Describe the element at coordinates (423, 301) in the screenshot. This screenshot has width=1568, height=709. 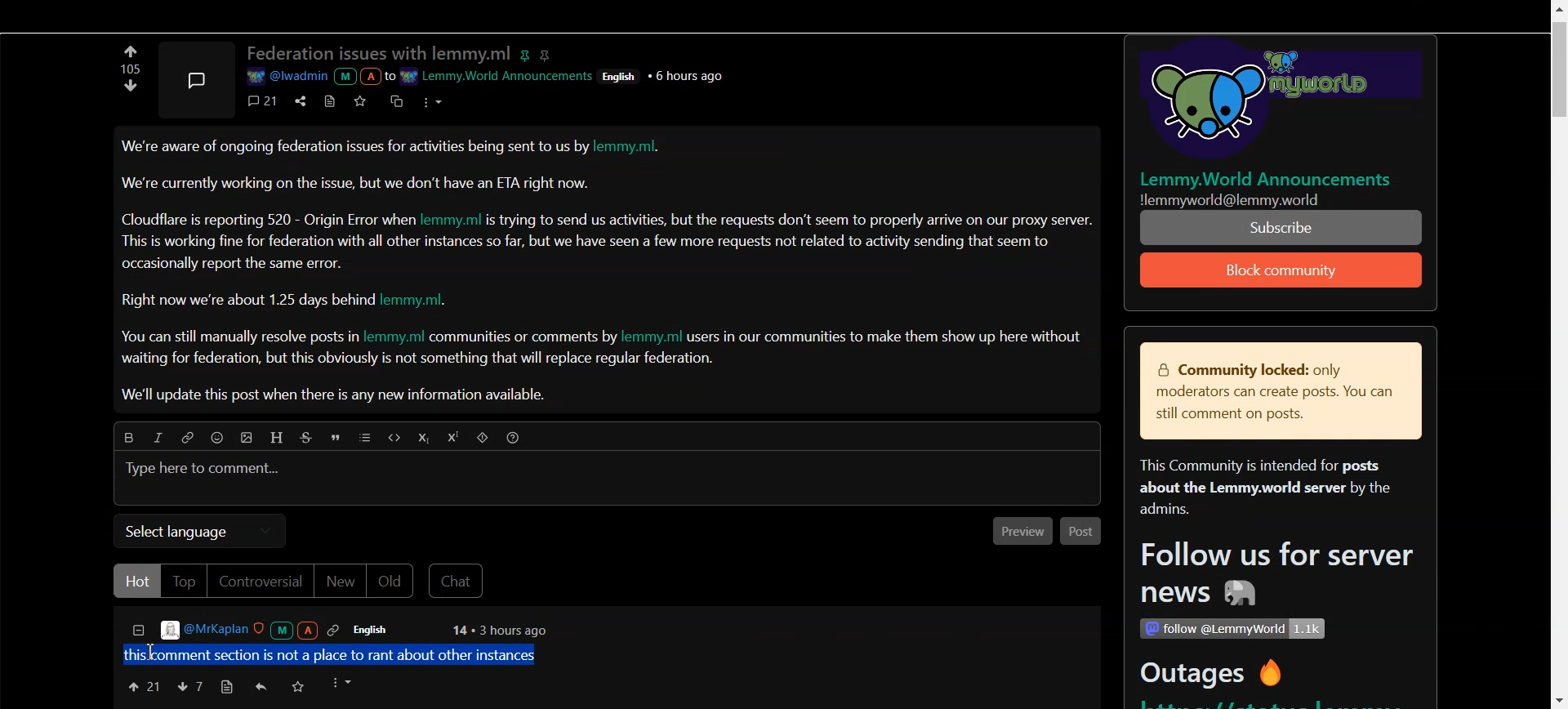
I see `lemmy.ml.` at that location.